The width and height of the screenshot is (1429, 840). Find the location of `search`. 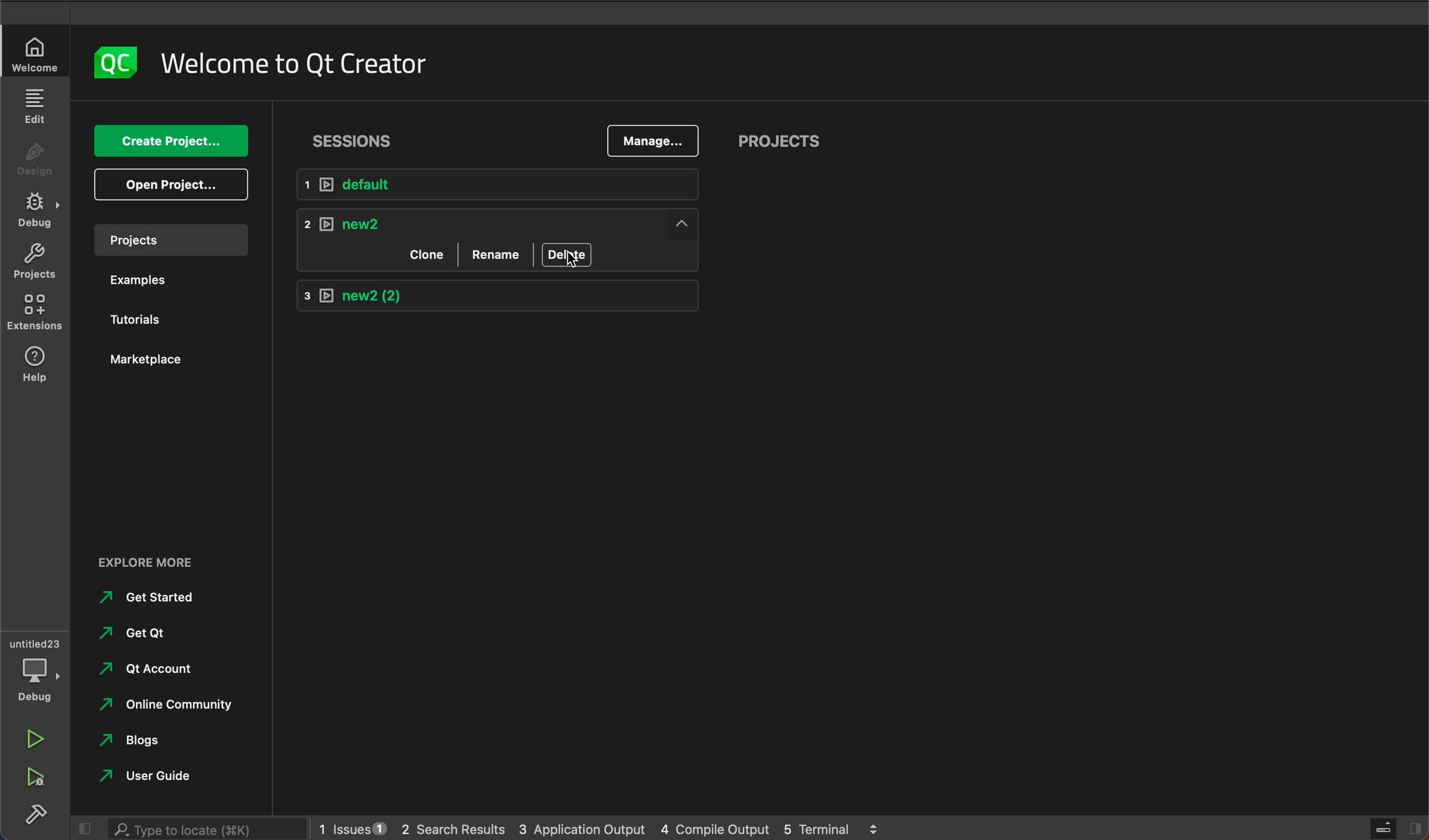

search is located at coordinates (209, 829).